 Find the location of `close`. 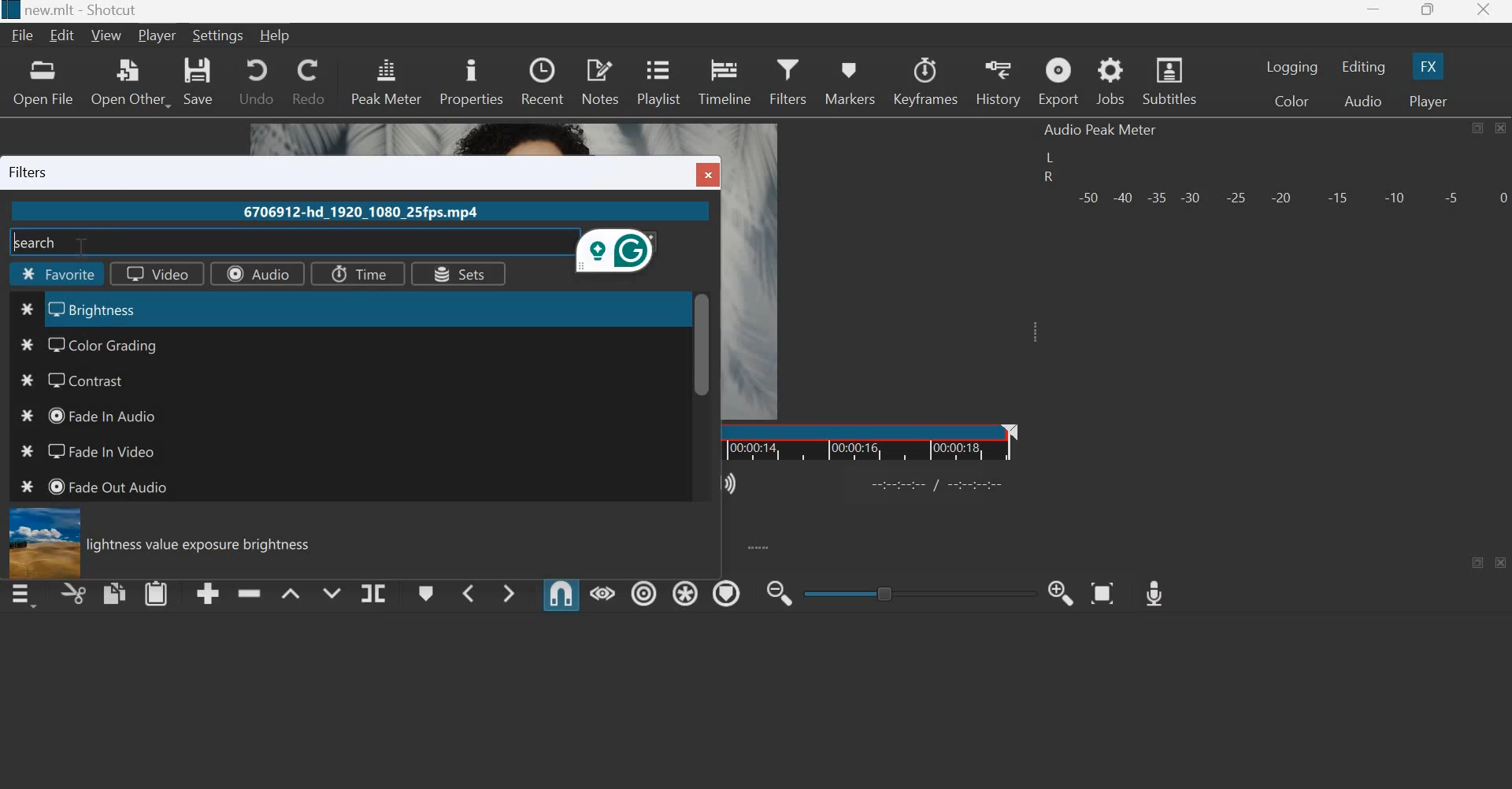

close is located at coordinates (1499, 128).